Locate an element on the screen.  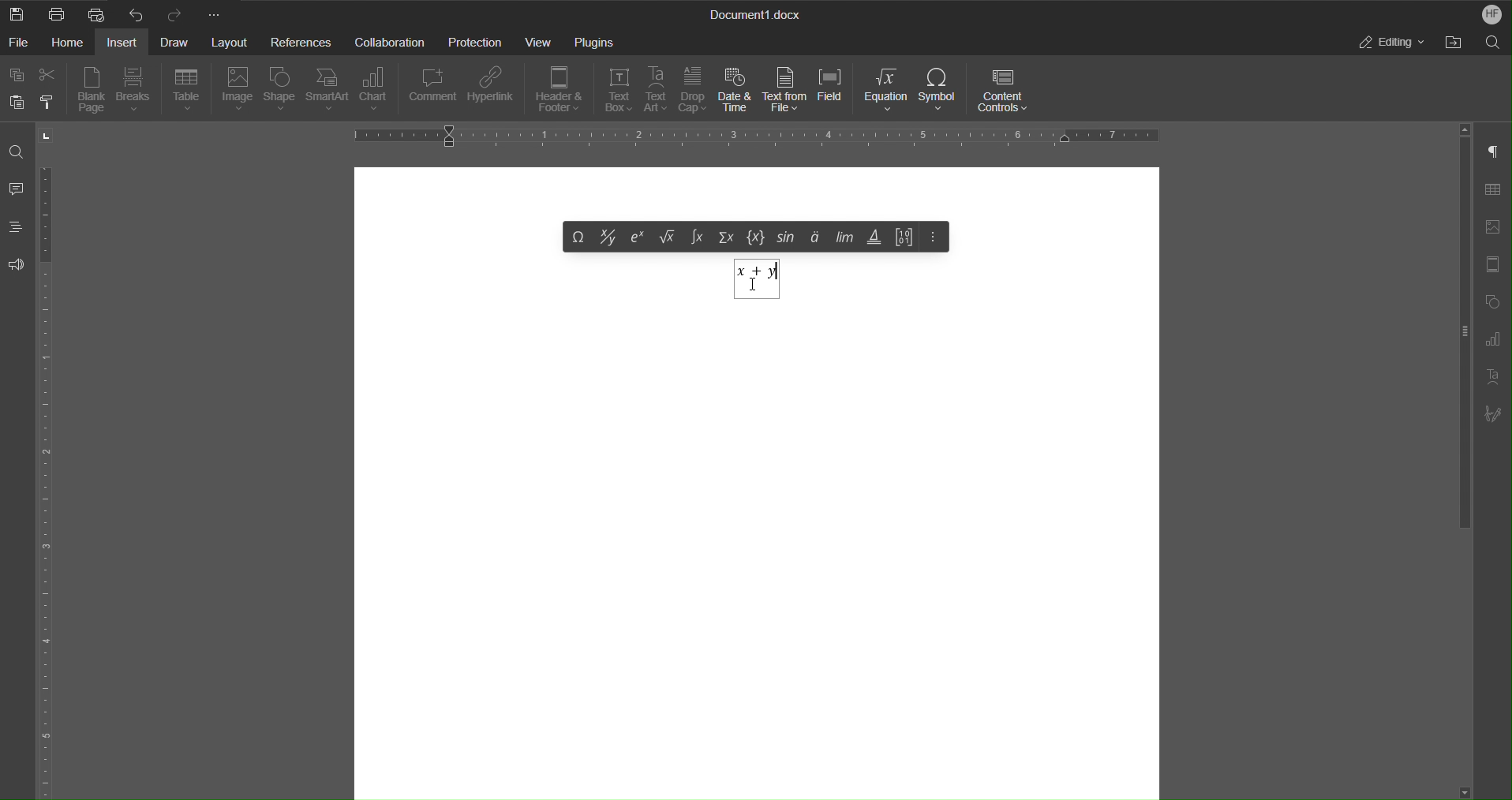
Under root is located at coordinates (666, 236).